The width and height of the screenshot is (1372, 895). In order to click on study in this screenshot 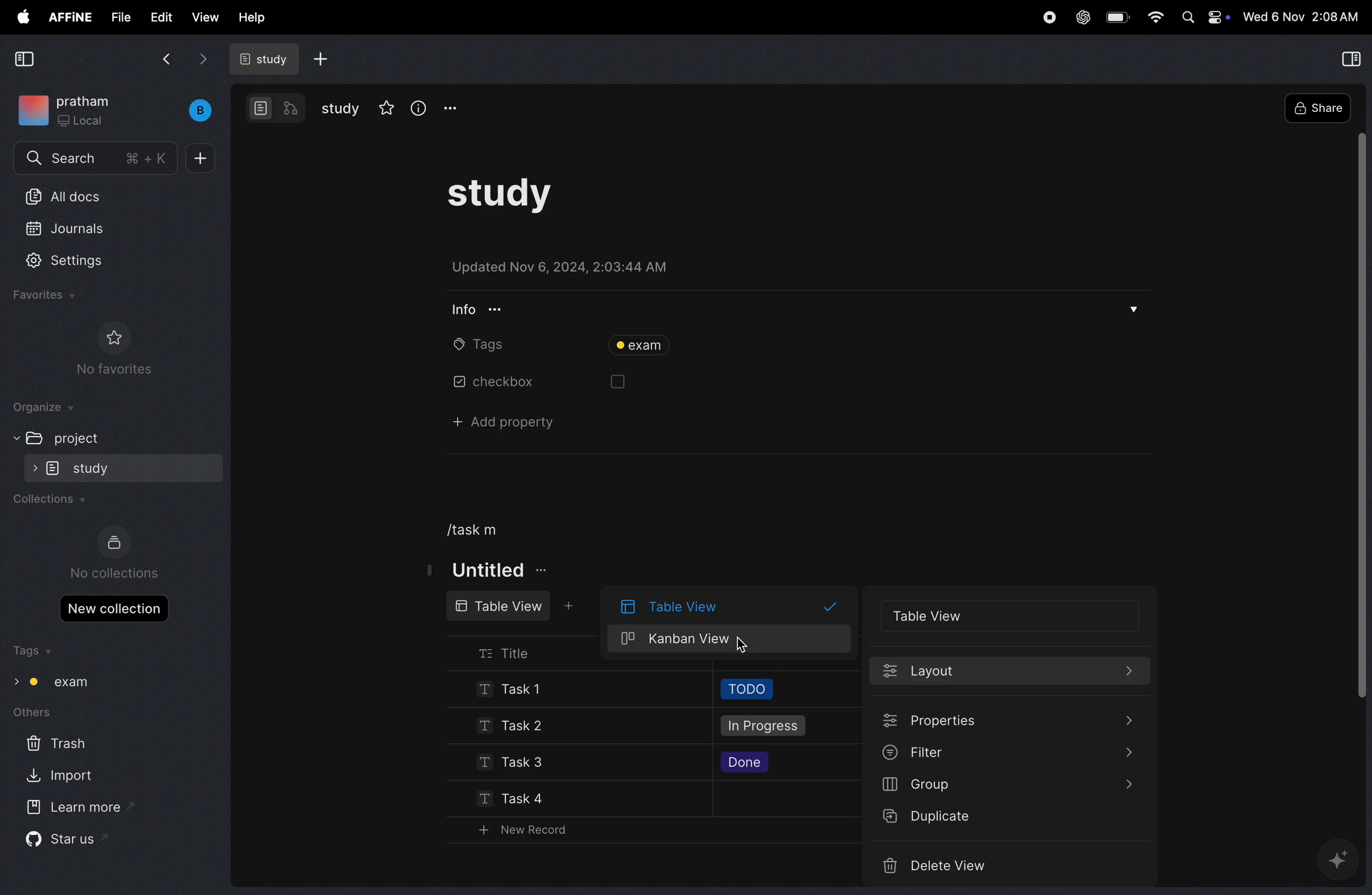, I will do `click(125, 468)`.